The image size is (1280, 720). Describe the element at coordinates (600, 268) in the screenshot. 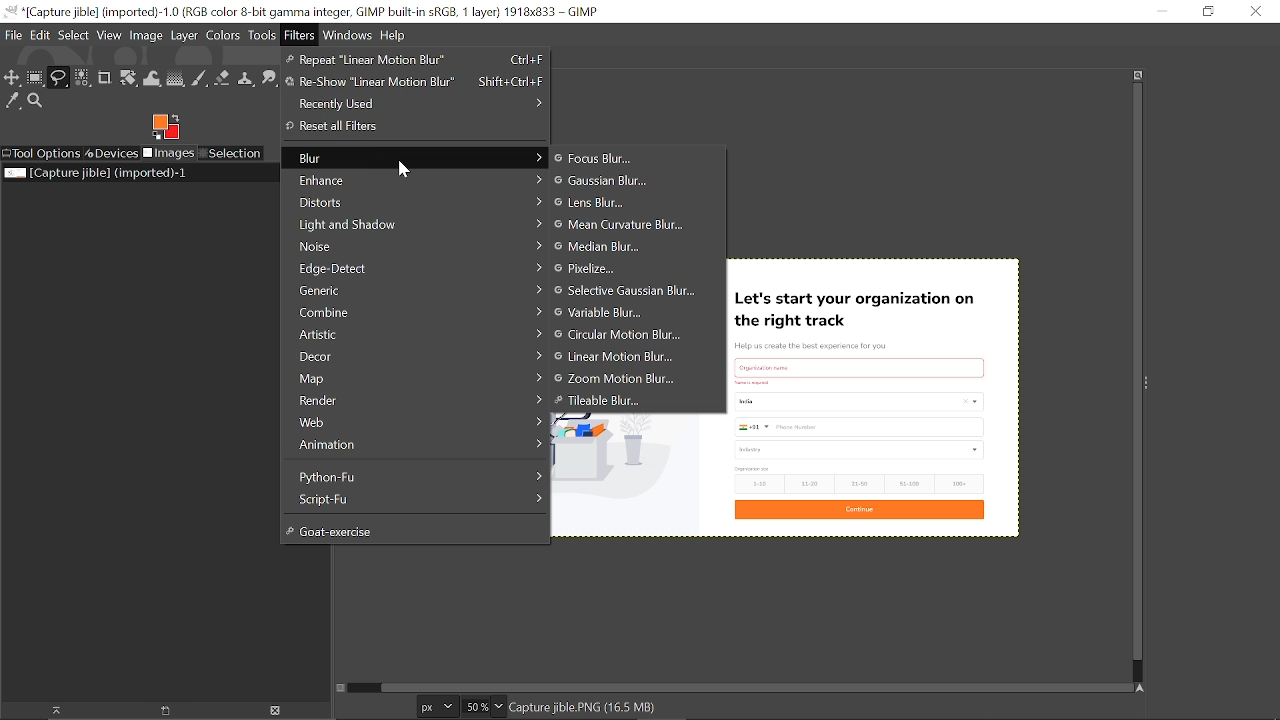

I see `Pixelize` at that location.